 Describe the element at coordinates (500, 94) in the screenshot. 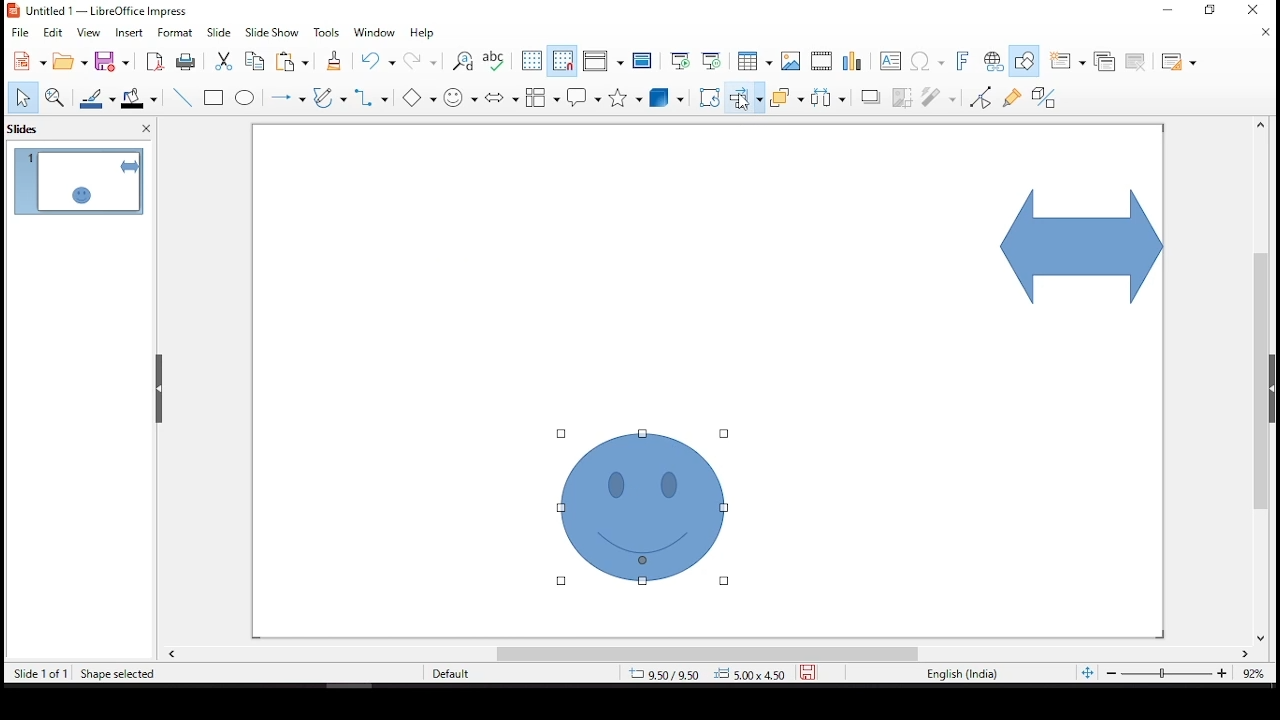

I see `block arrows` at that location.